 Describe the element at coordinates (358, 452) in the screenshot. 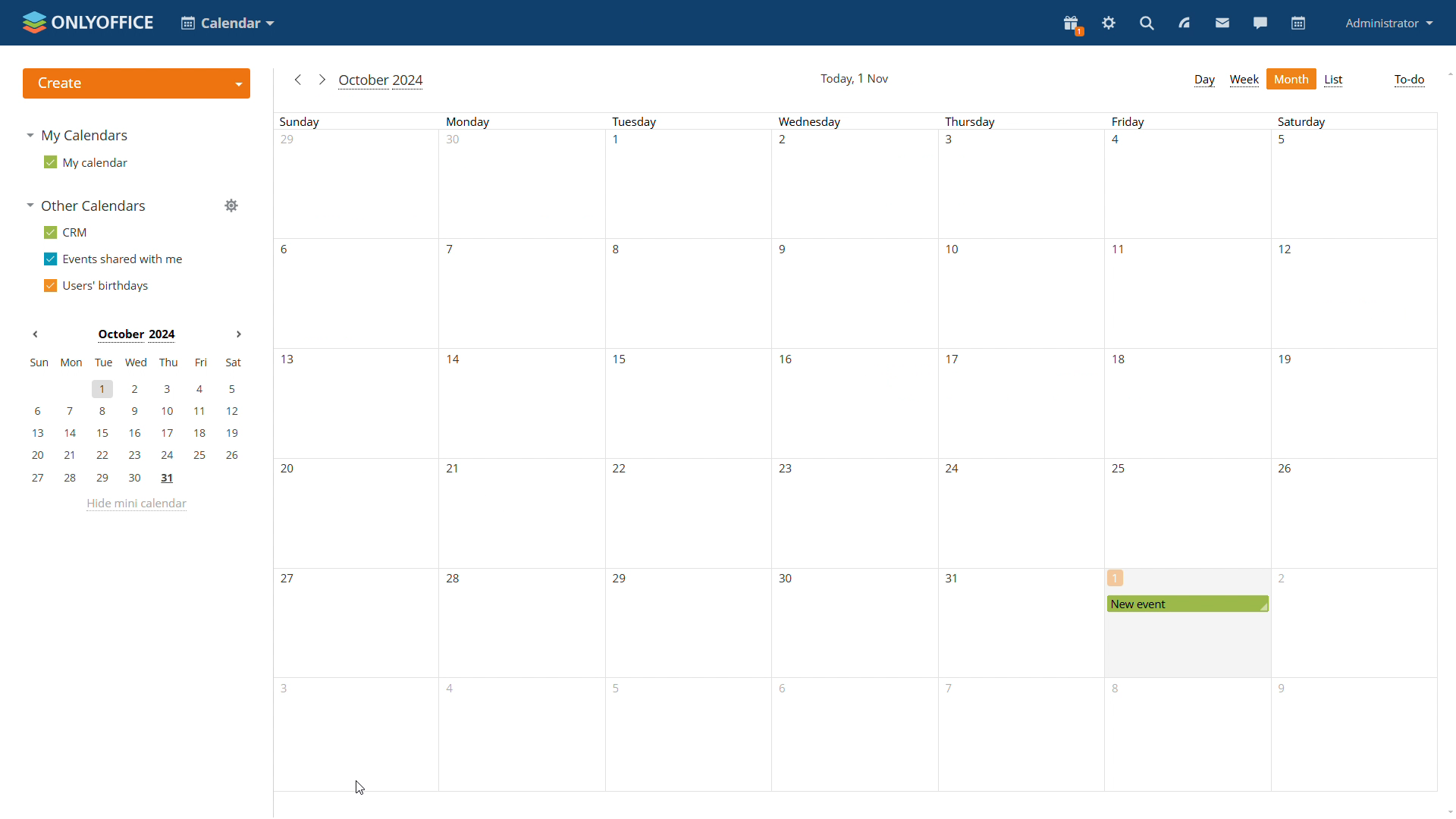

I see `sunday` at that location.